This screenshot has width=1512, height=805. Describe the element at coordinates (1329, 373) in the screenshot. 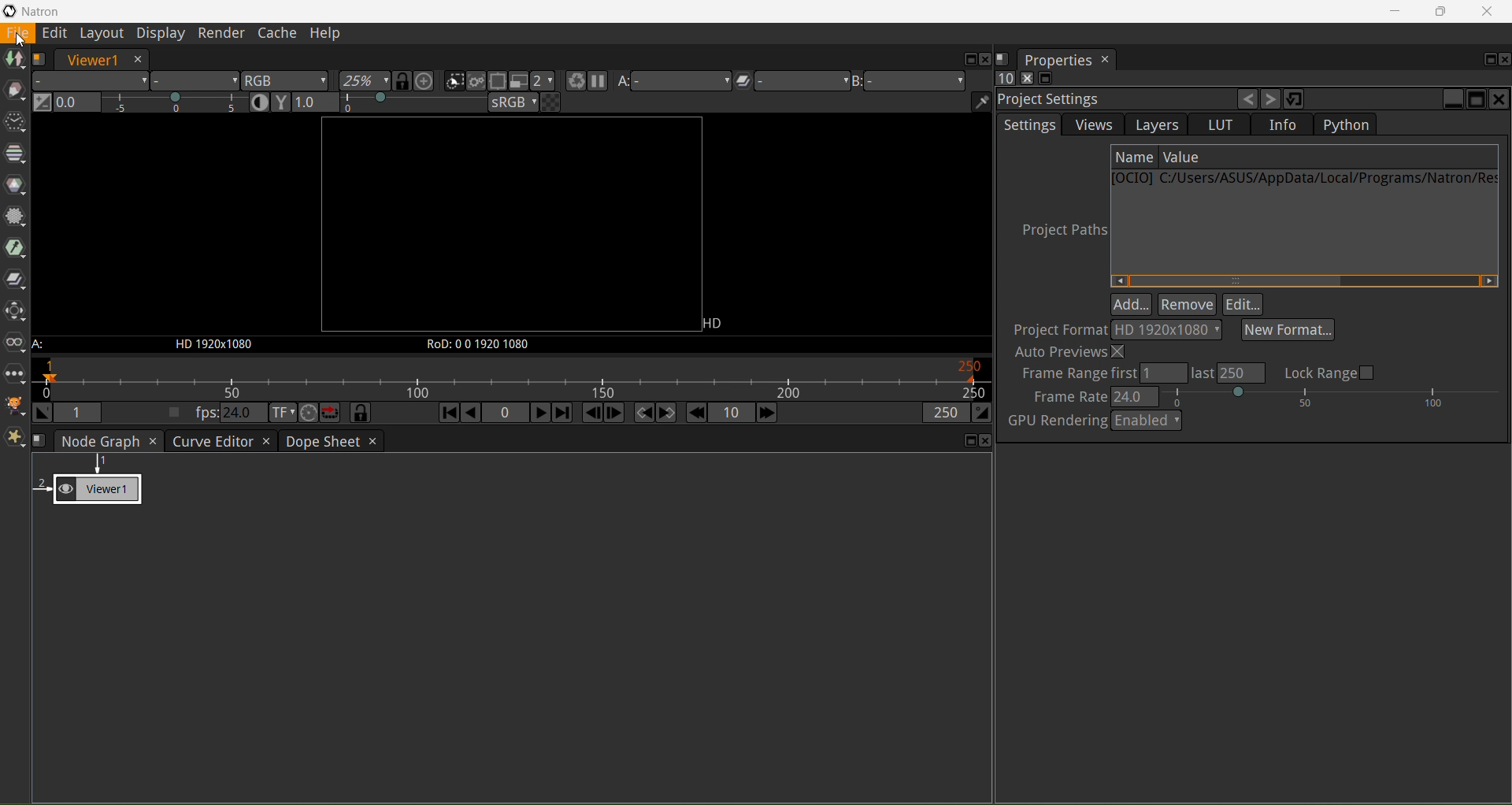

I see `Click to Lock Range` at that location.